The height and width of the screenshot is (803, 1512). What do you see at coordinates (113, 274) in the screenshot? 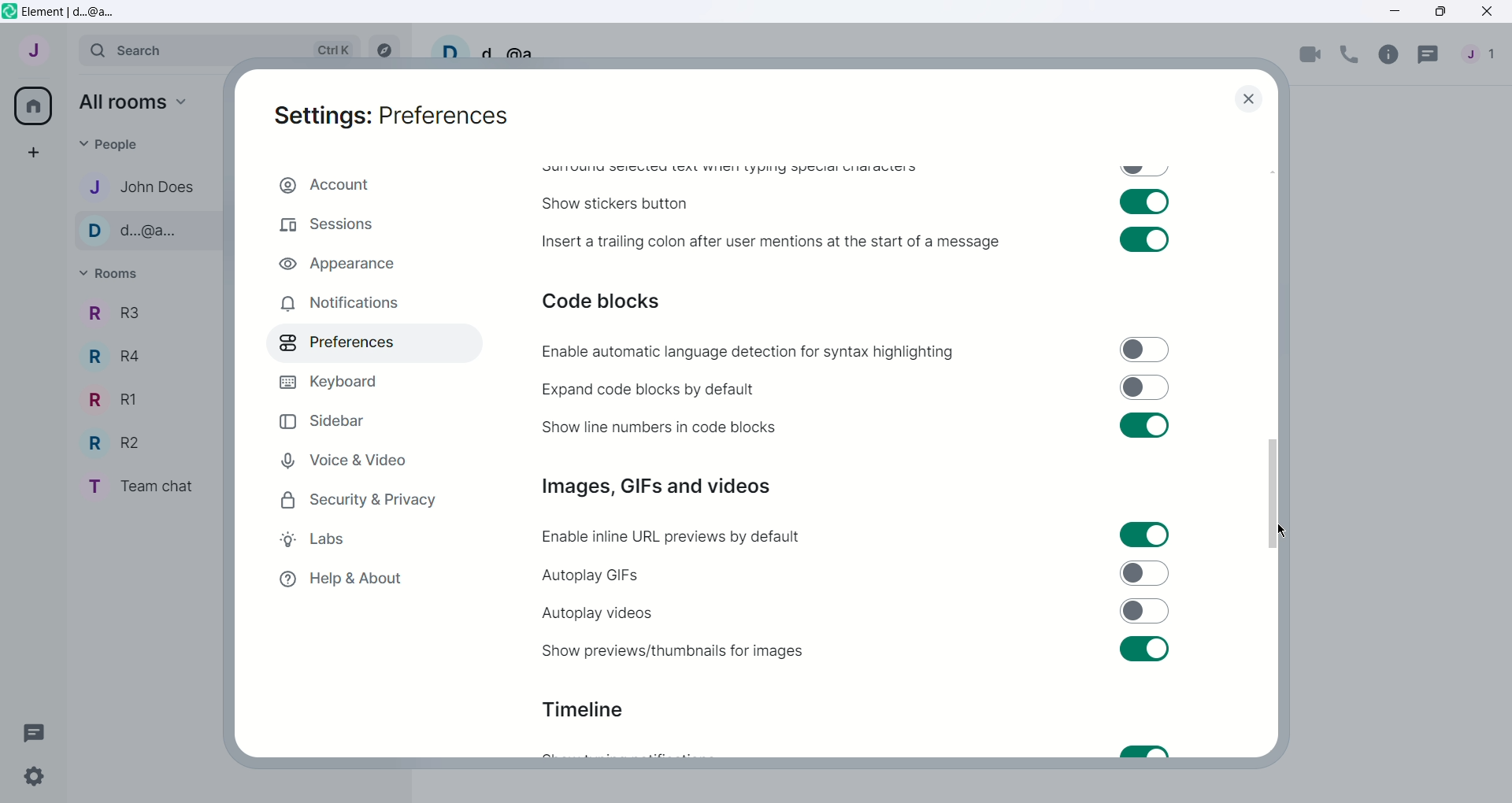
I see `Rooms` at bounding box center [113, 274].